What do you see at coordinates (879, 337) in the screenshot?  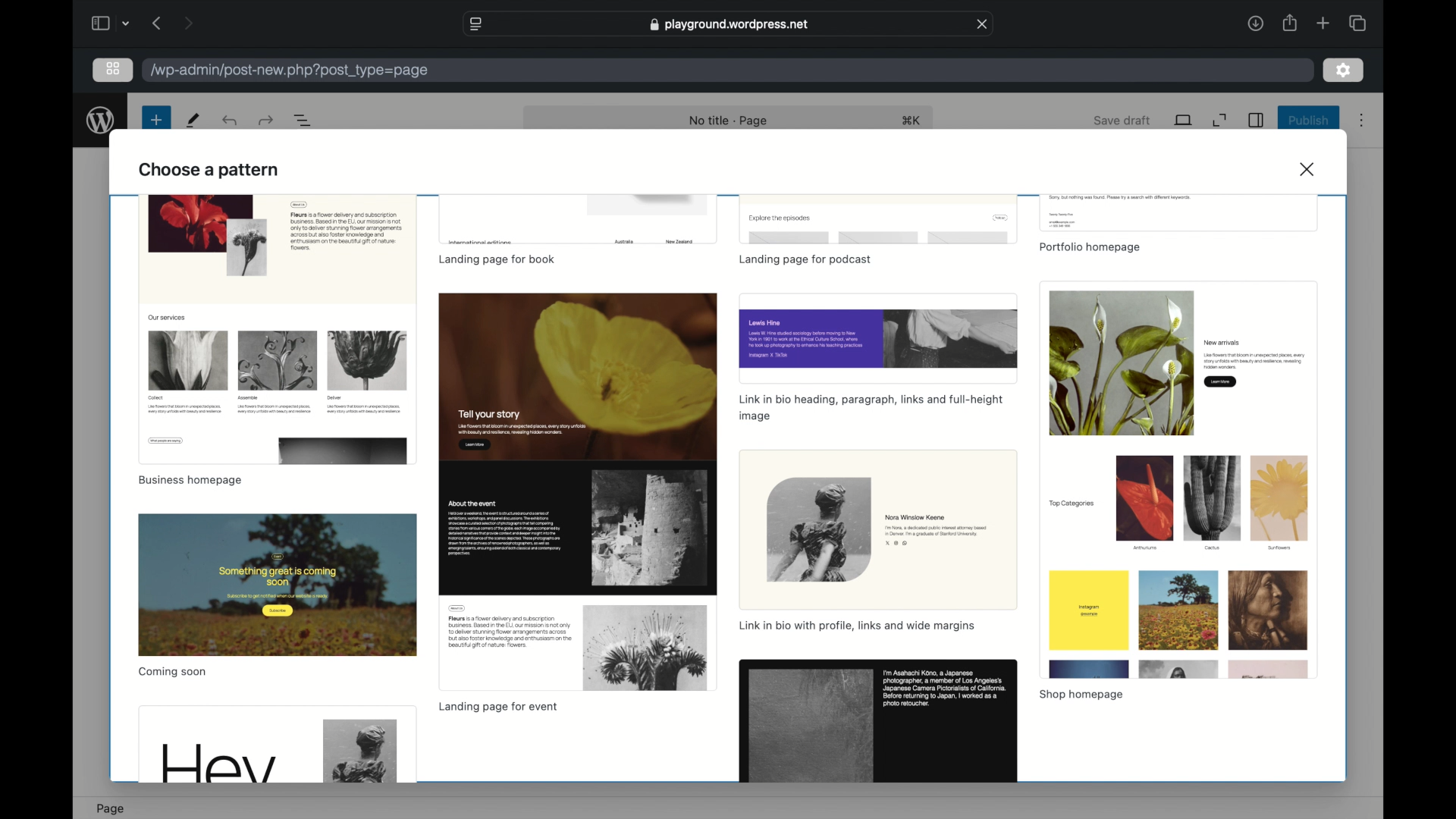 I see `preview` at bounding box center [879, 337].